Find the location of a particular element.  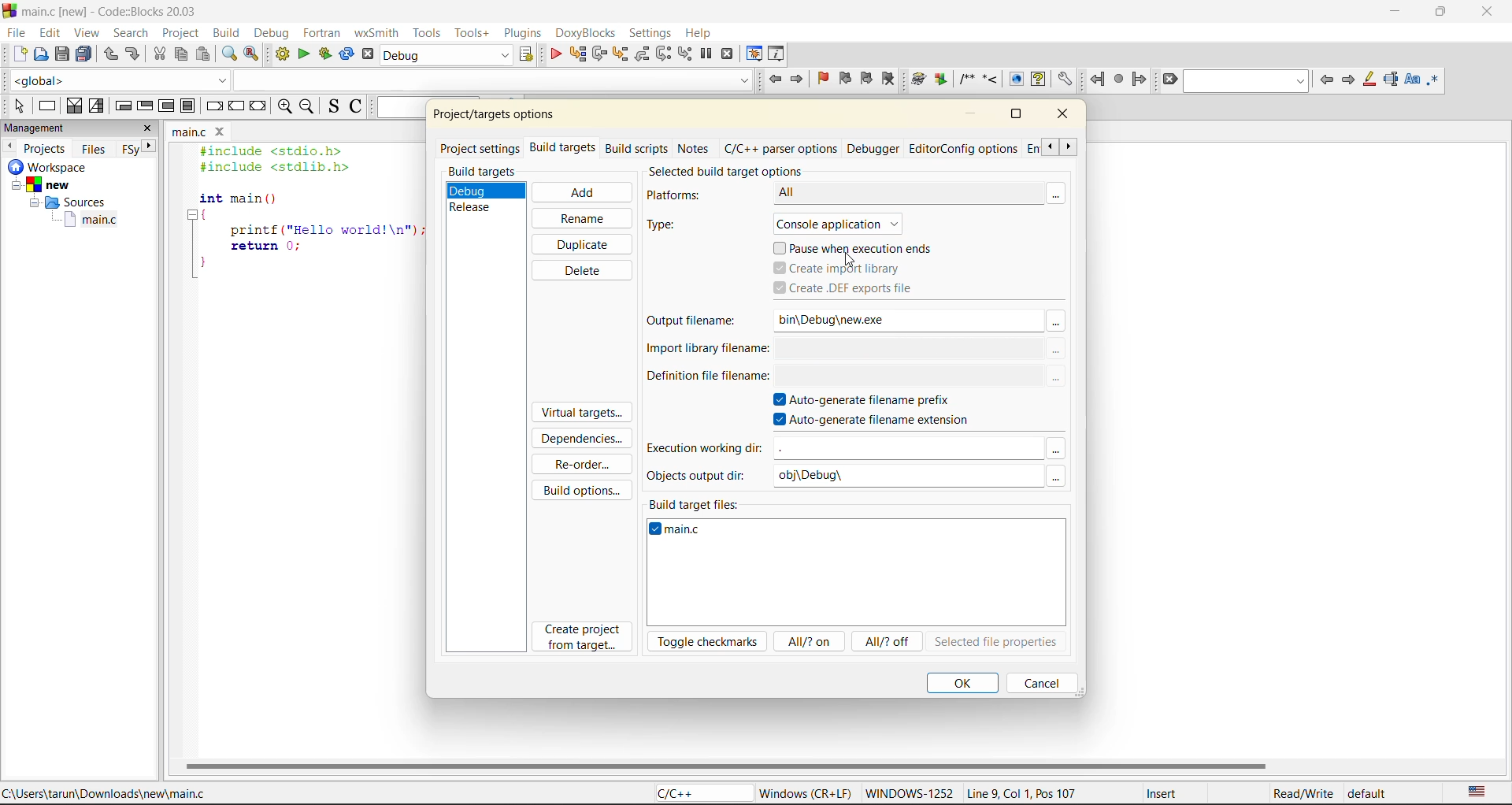

search is located at coordinates (132, 33).